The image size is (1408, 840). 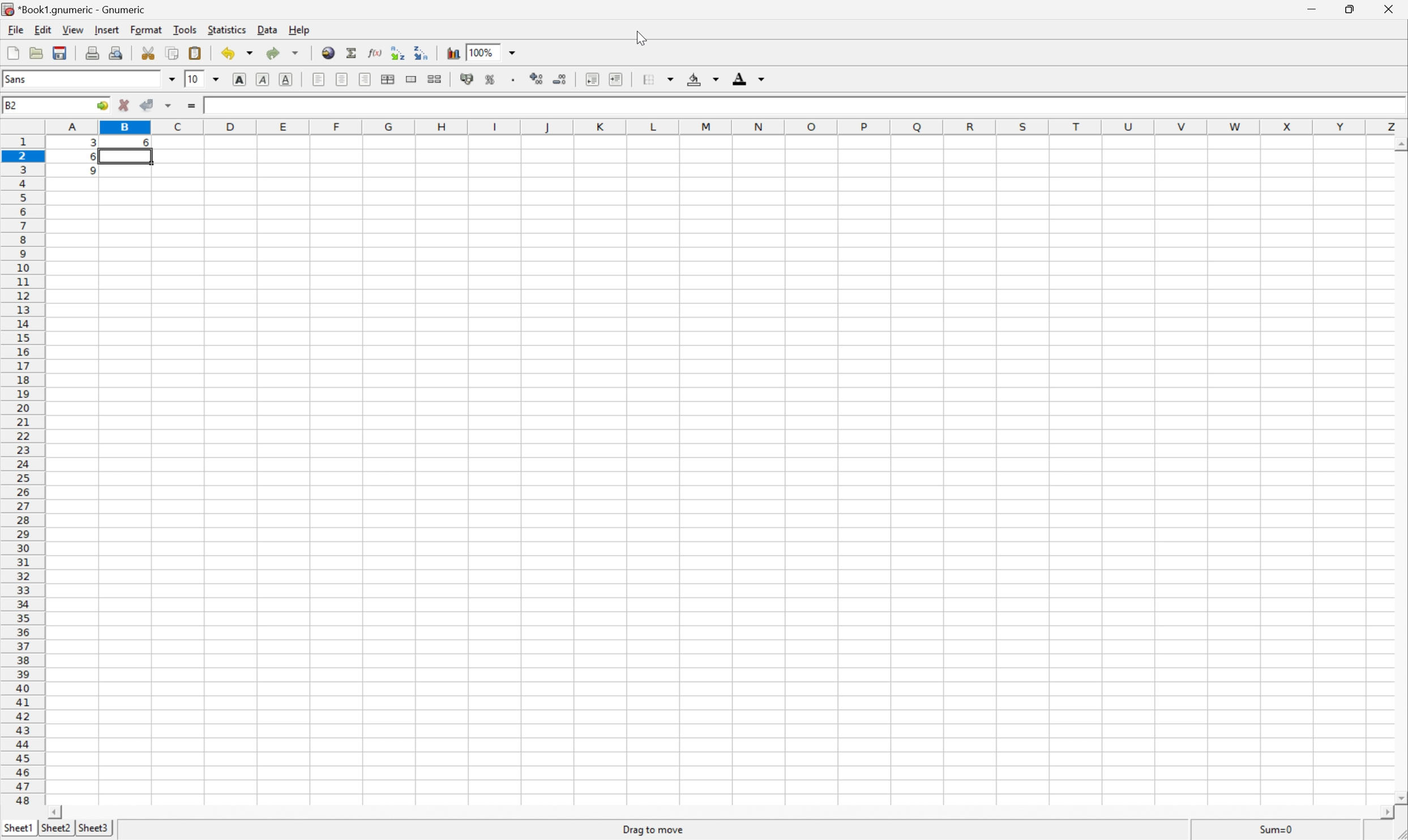 What do you see at coordinates (328, 53) in the screenshot?
I see `Insert a hyperlink` at bounding box center [328, 53].